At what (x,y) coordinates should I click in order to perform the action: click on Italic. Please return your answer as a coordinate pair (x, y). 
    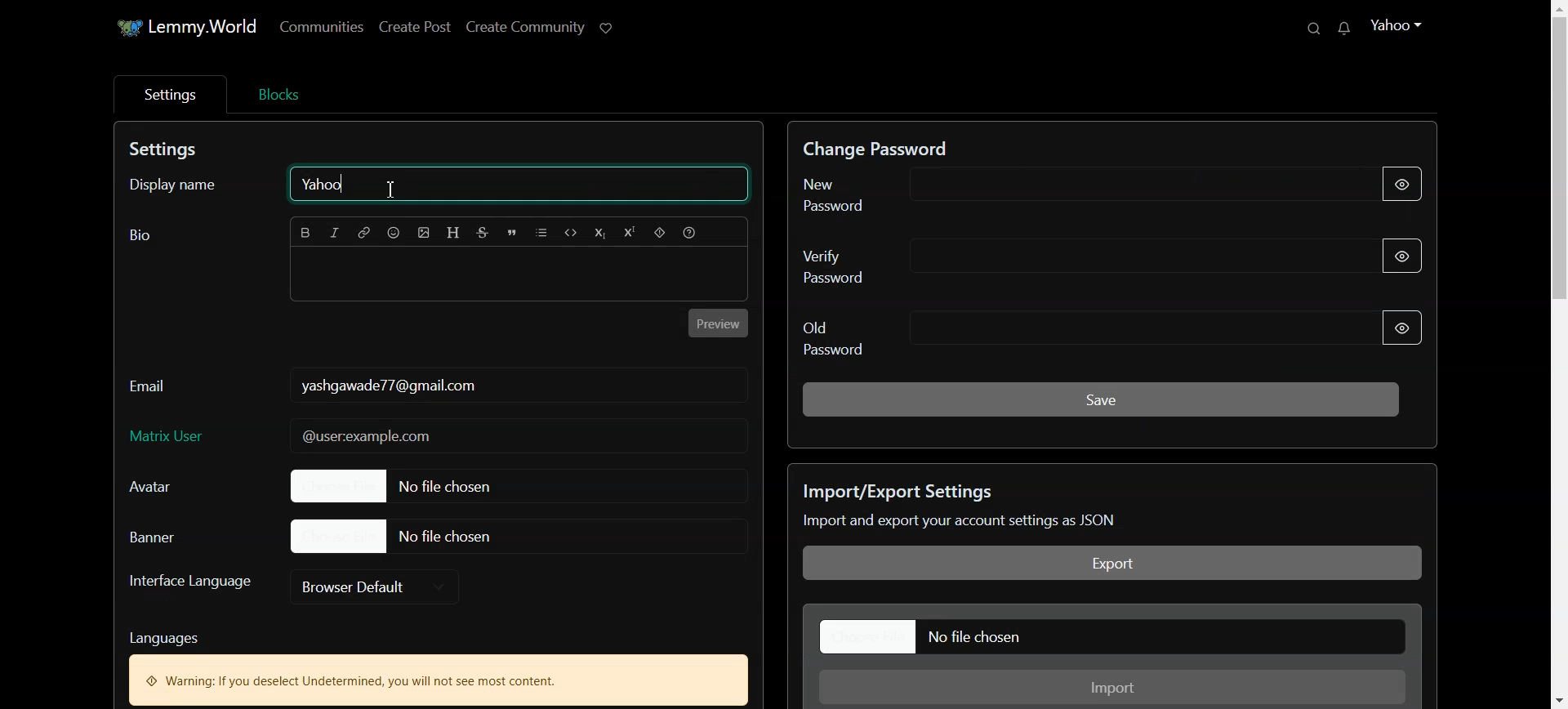
    Looking at the image, I should click on (336, 234).